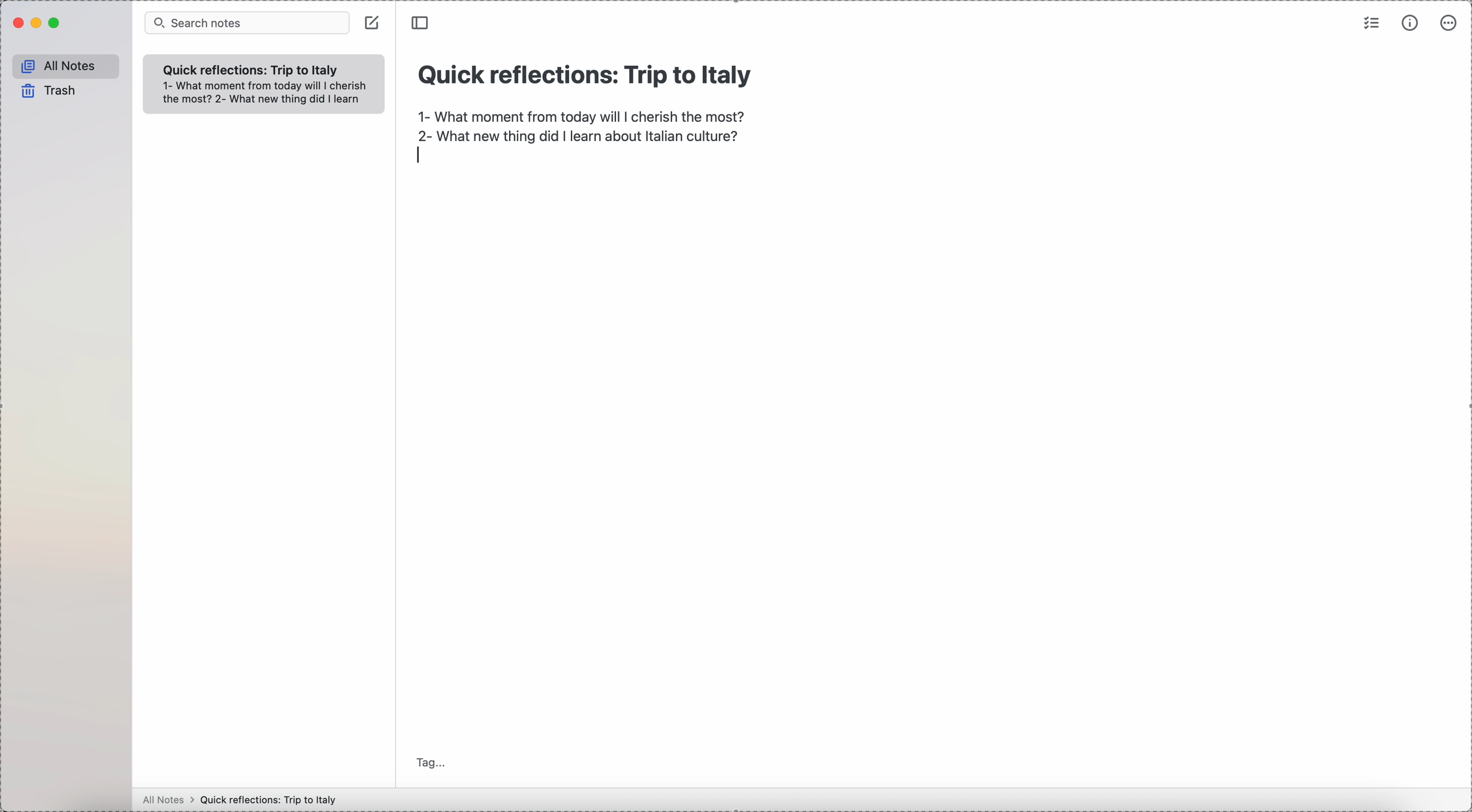 The height and width of the screenshot is (812, 1472). What do you see at coordinates (582, 79) in the screenshot?
I see `Quick reflections: Trip to Italy` at bounding box center [582, 79].